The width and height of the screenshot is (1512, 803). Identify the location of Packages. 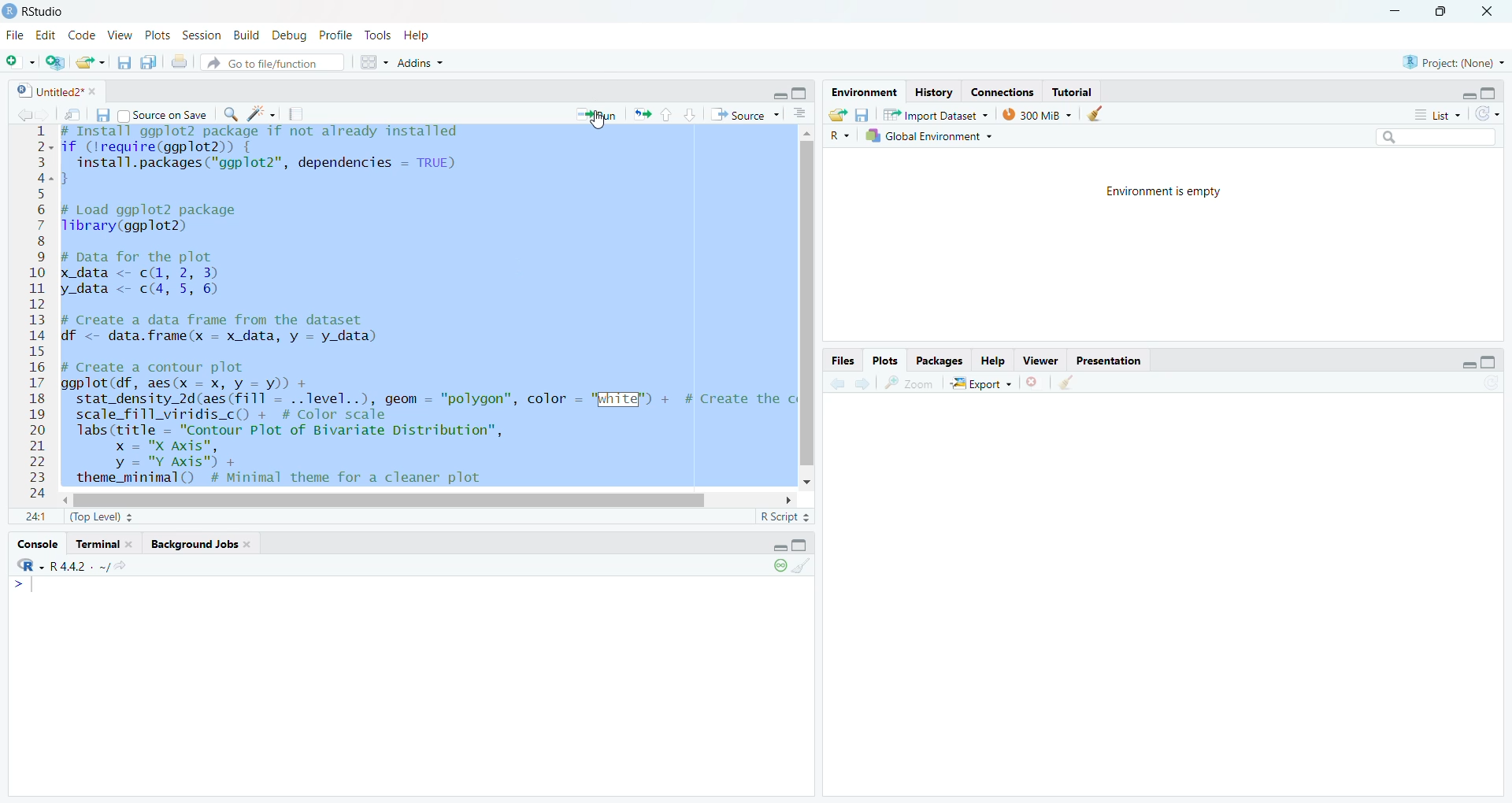
(938, 361).